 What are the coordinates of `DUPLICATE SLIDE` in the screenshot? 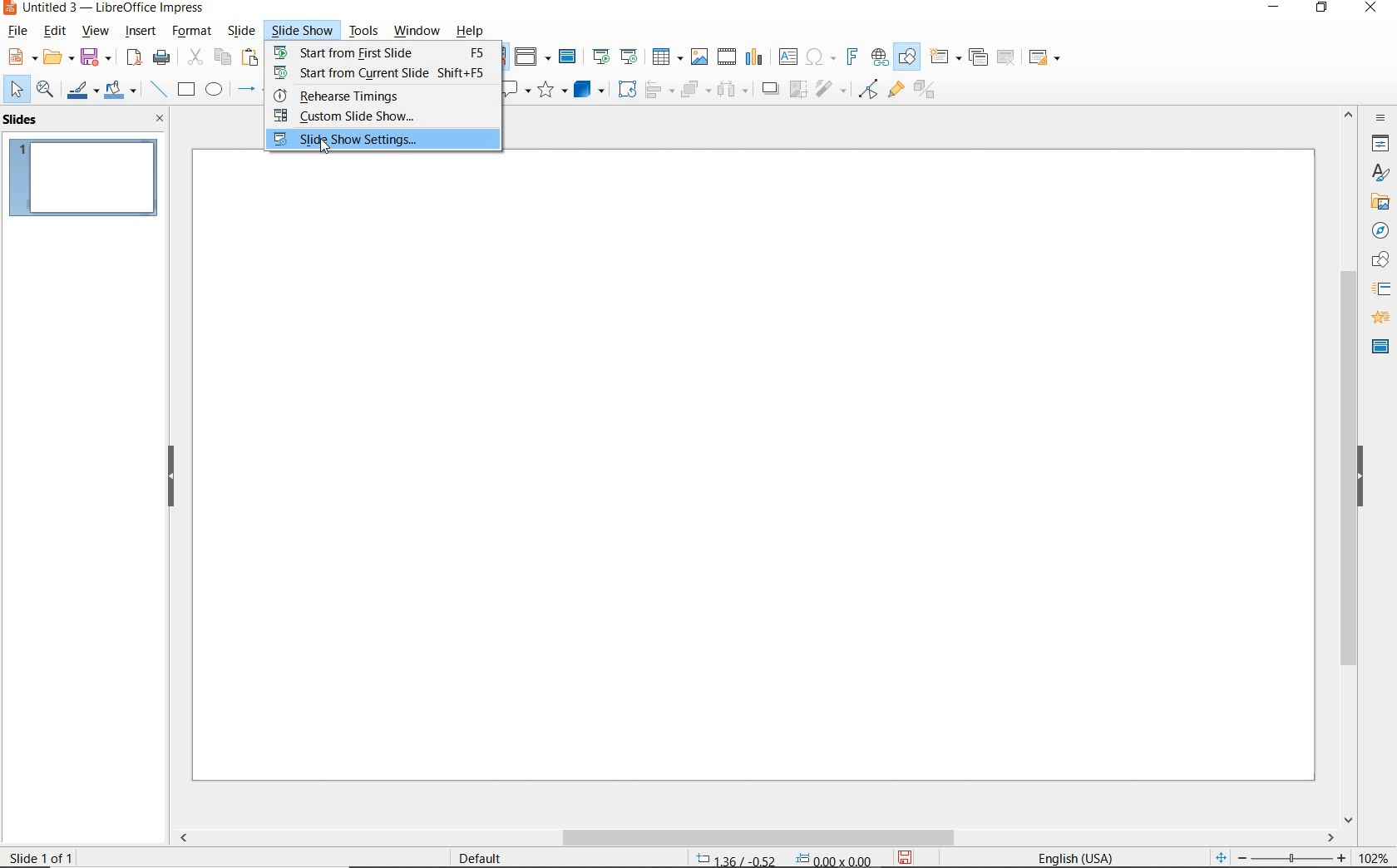 It's located at (976, 56).